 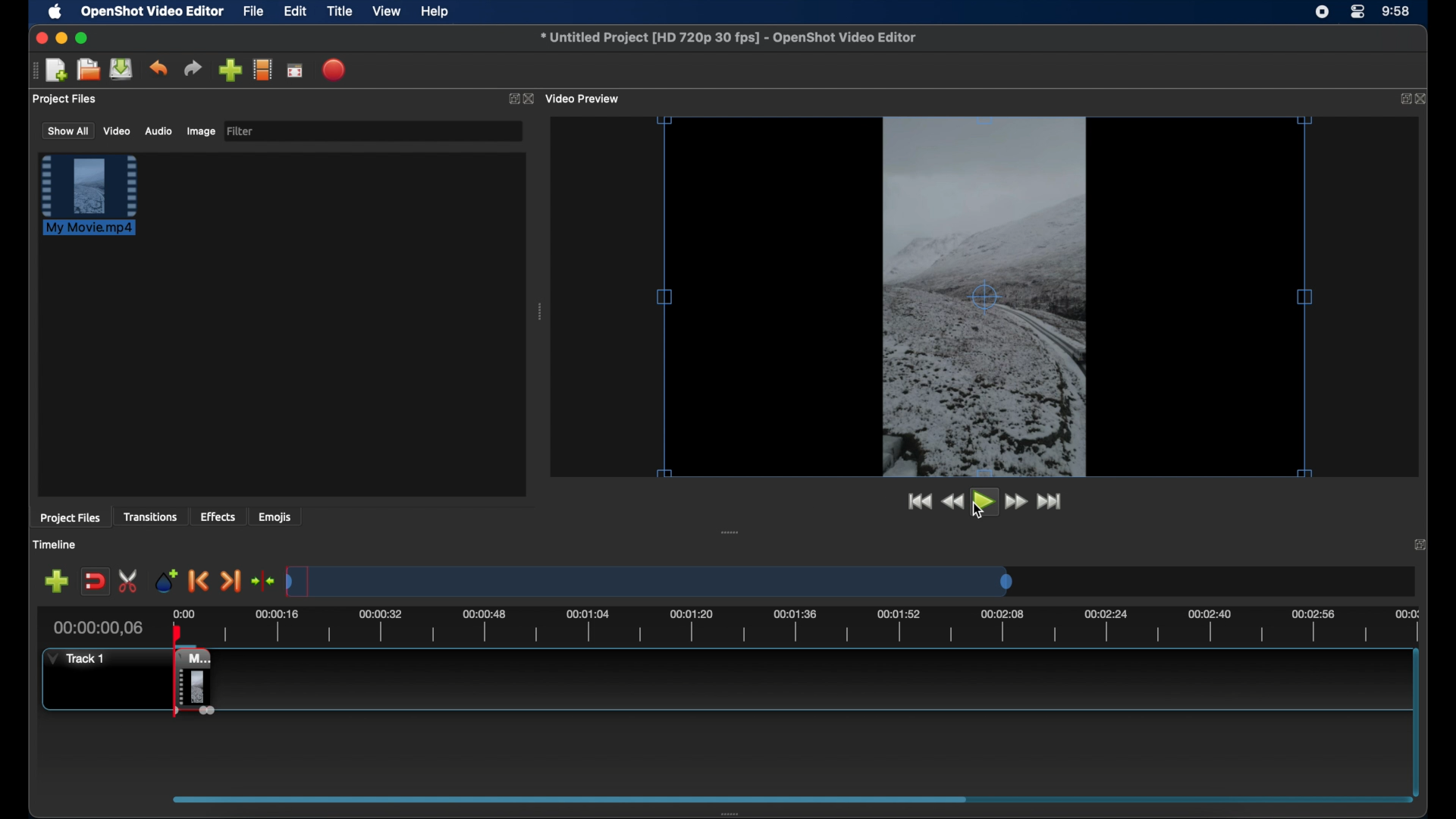 I want to click on jumpt to start, so click(x=918, y=501).